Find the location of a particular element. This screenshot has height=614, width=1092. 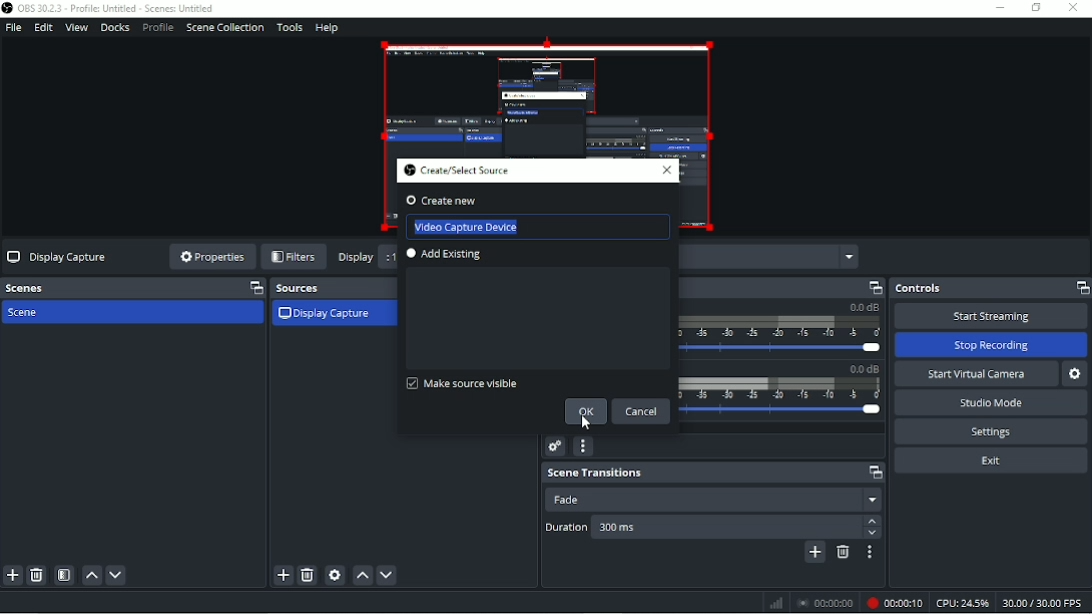

Restore down is located at coordinates (1033, 8).